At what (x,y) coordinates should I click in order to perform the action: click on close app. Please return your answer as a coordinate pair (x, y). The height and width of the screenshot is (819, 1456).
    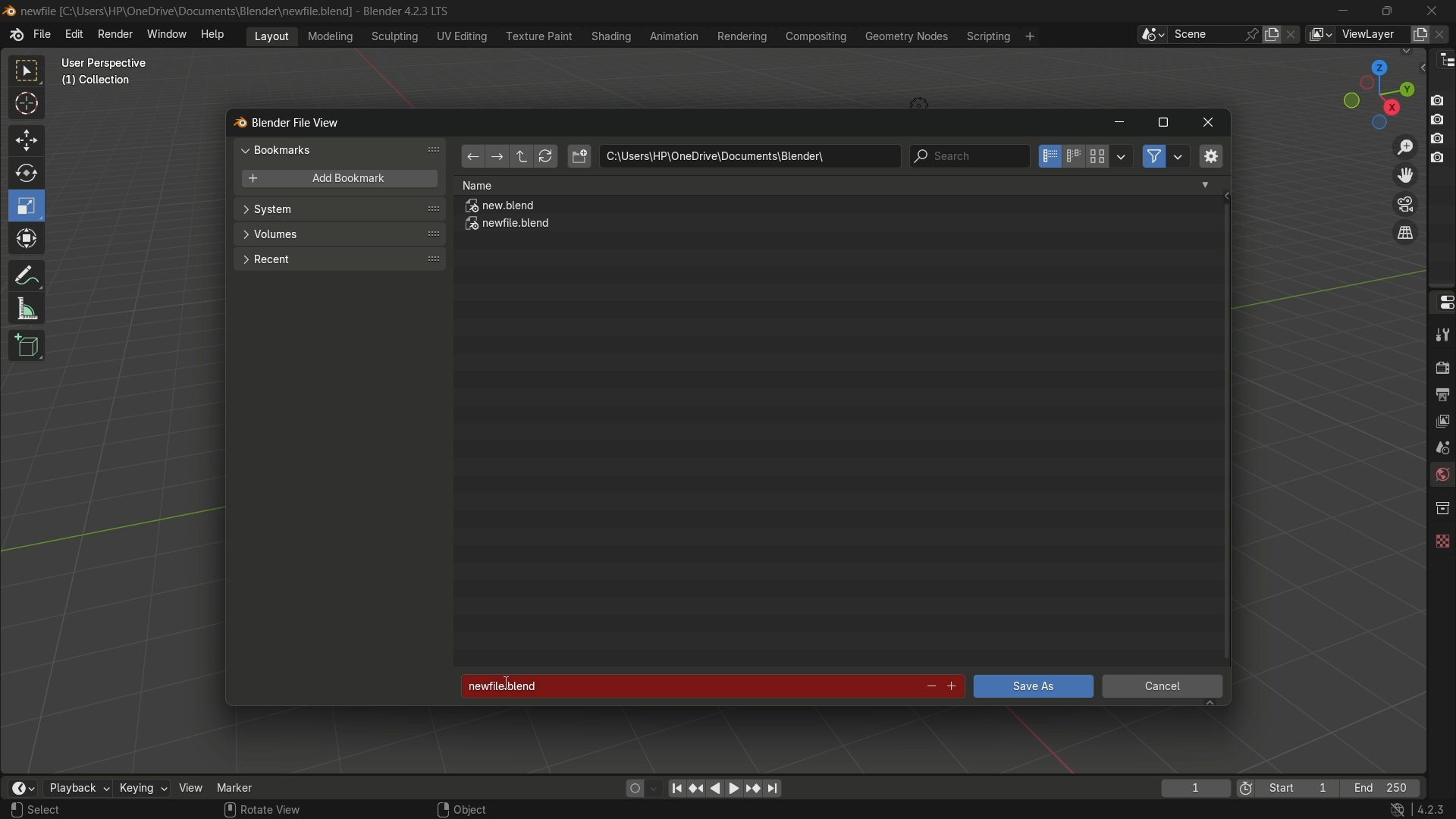
    Looking at the image, I should click on (1432, 10).